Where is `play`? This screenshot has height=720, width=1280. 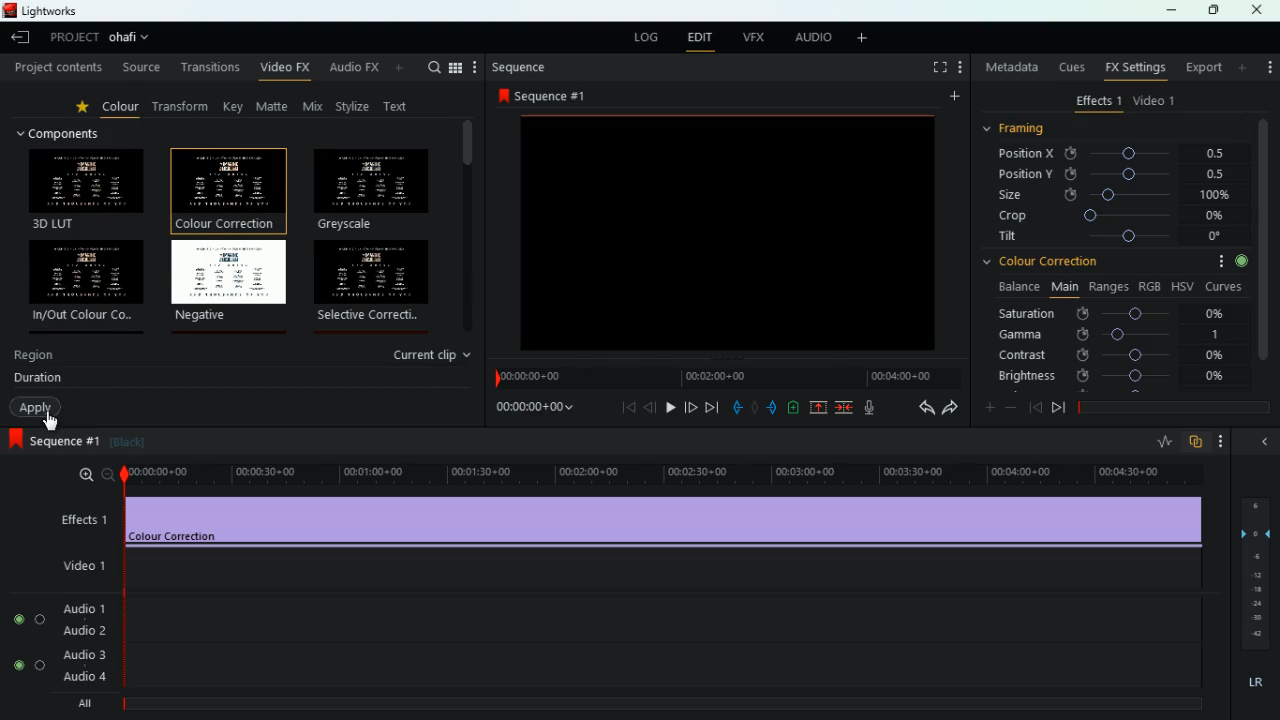 play is located at coordinates (670, 407).